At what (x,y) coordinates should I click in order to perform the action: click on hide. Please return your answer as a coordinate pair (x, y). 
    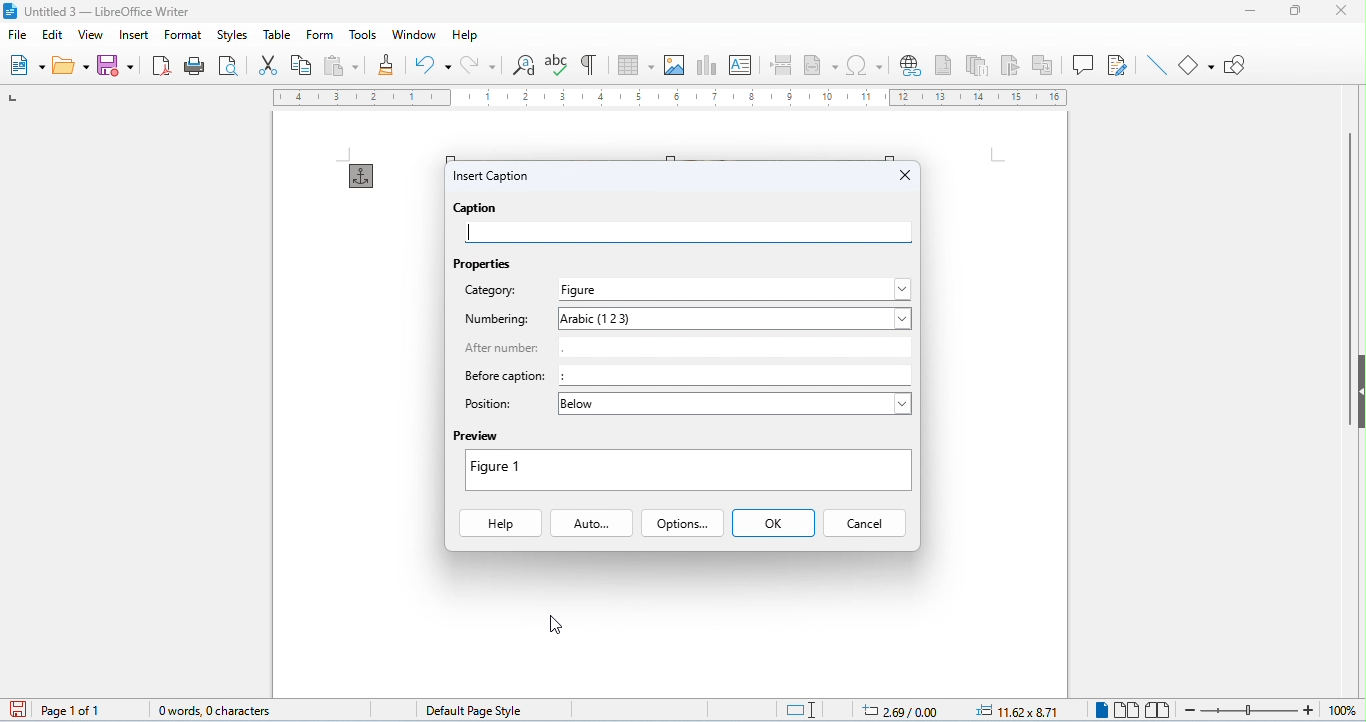
    Looking at the image, I should click on (1357, 393).